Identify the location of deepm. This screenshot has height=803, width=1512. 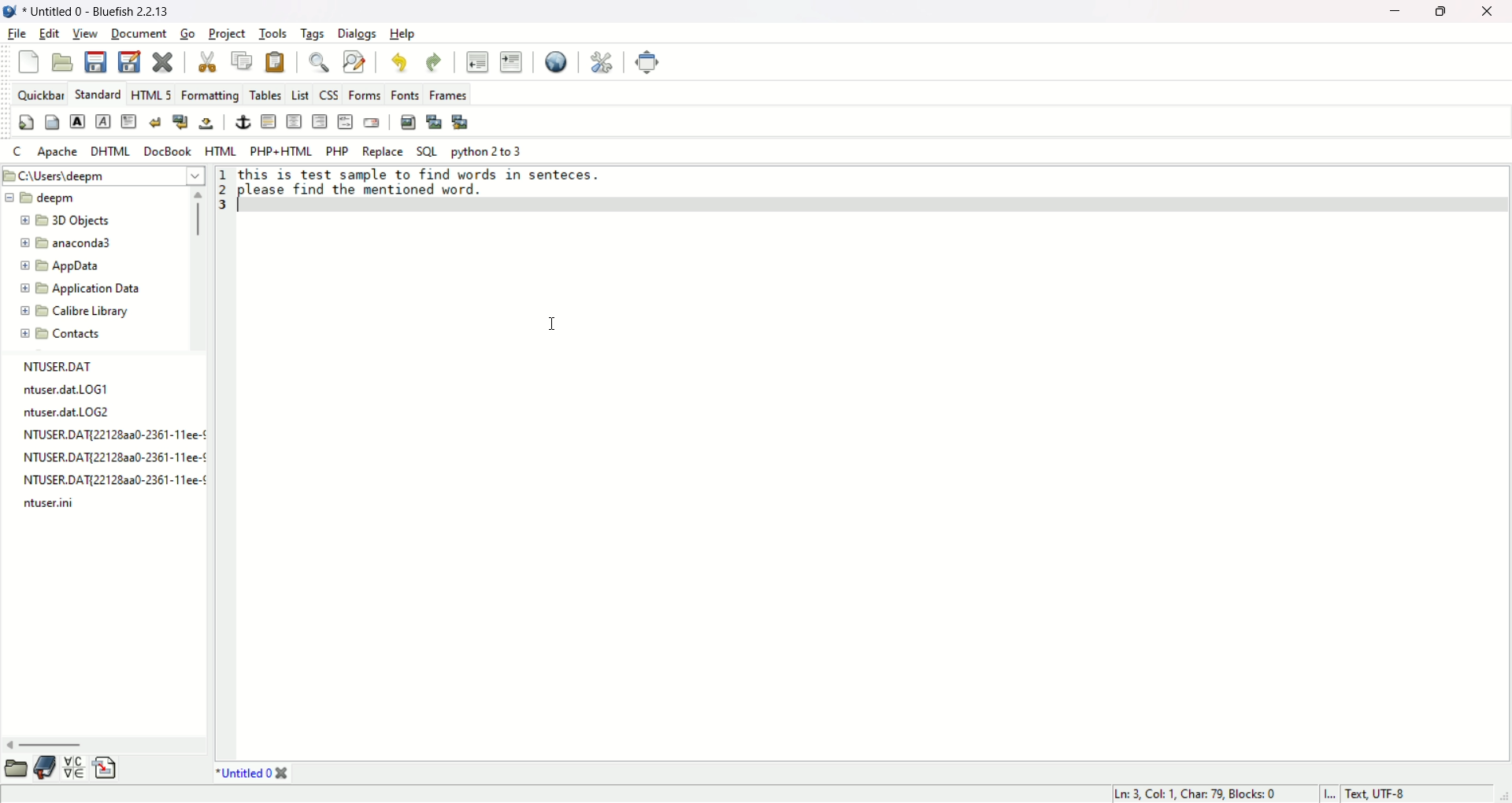
(44, 198).